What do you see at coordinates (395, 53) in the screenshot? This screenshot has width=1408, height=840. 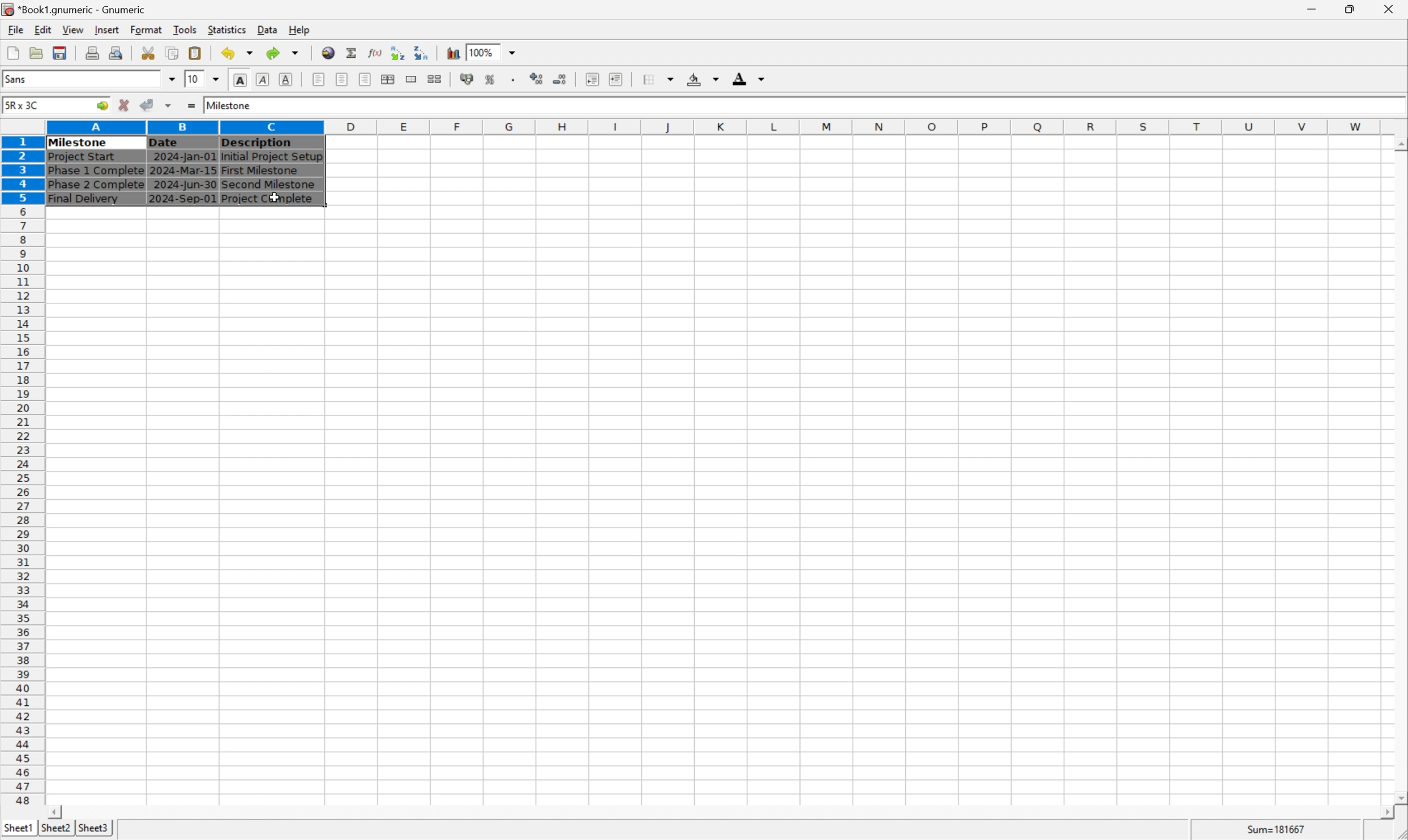 I see `Sort the selected region in increasing order based on the first column selected` at bounding box center [395, 53].